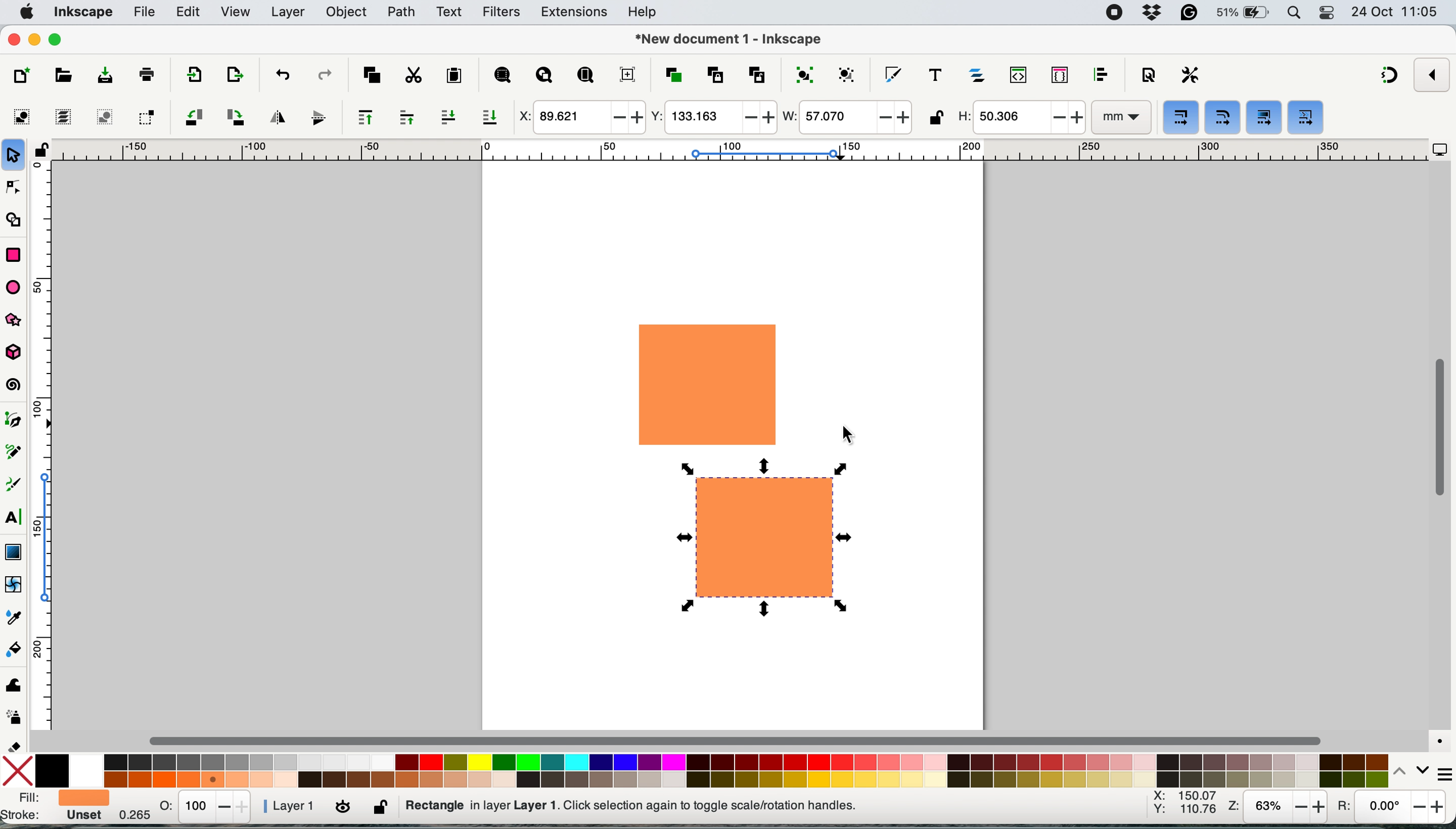  I want to click on y coordinate, so click(712, 117).